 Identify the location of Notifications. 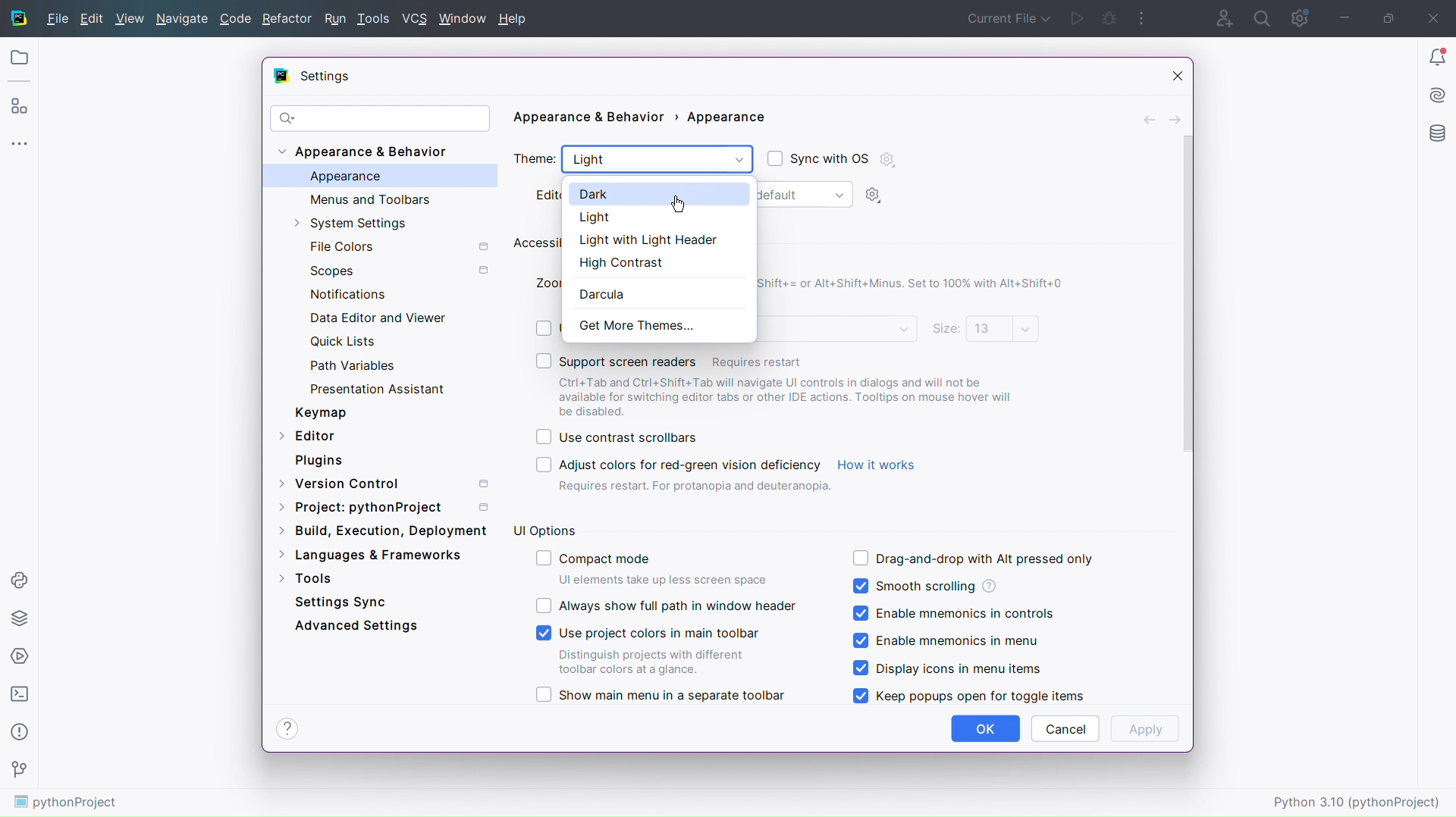
(1435, 56).